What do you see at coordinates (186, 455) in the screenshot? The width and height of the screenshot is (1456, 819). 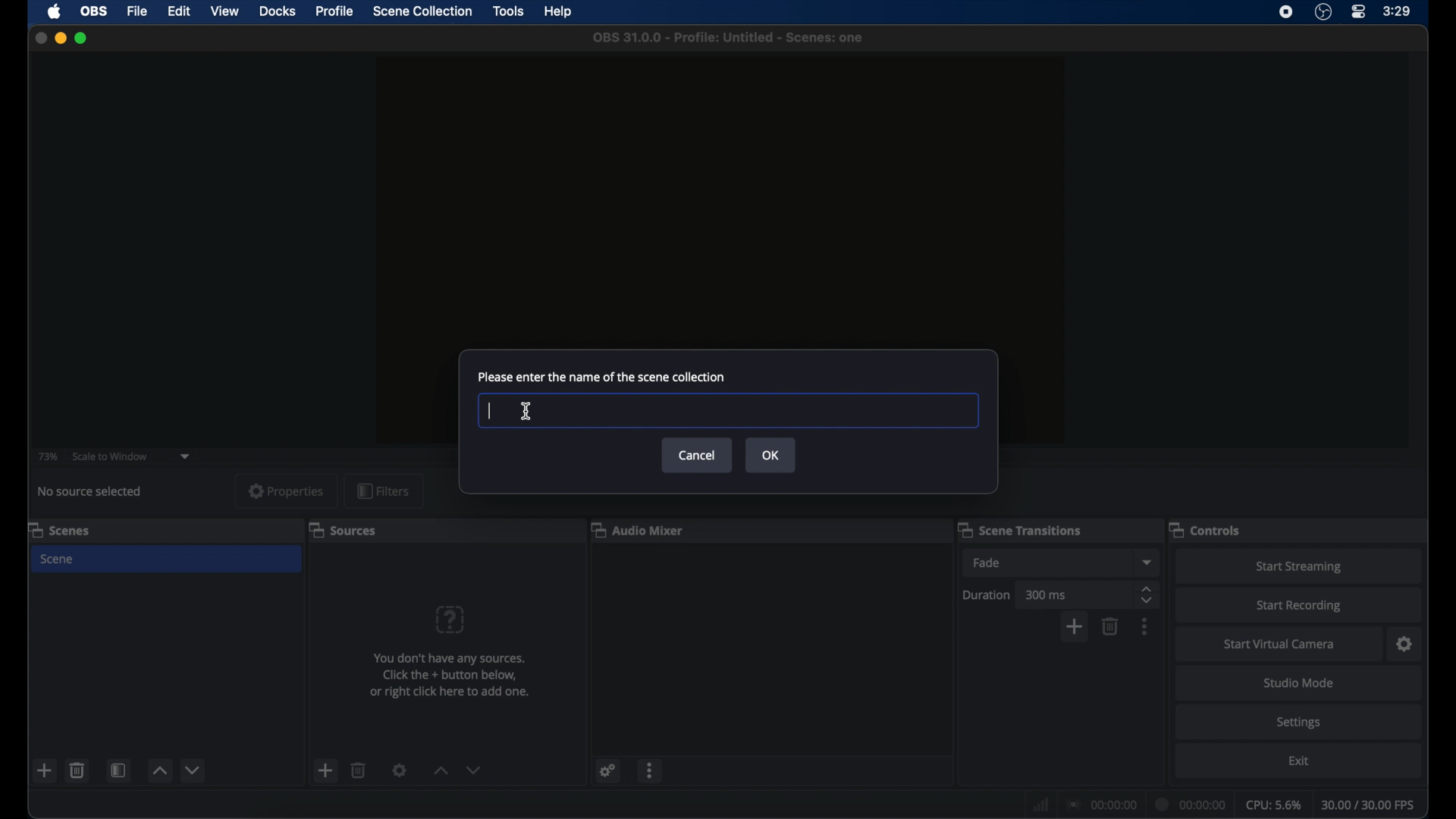 I see `dropdown` at bounding box center [186, 455].